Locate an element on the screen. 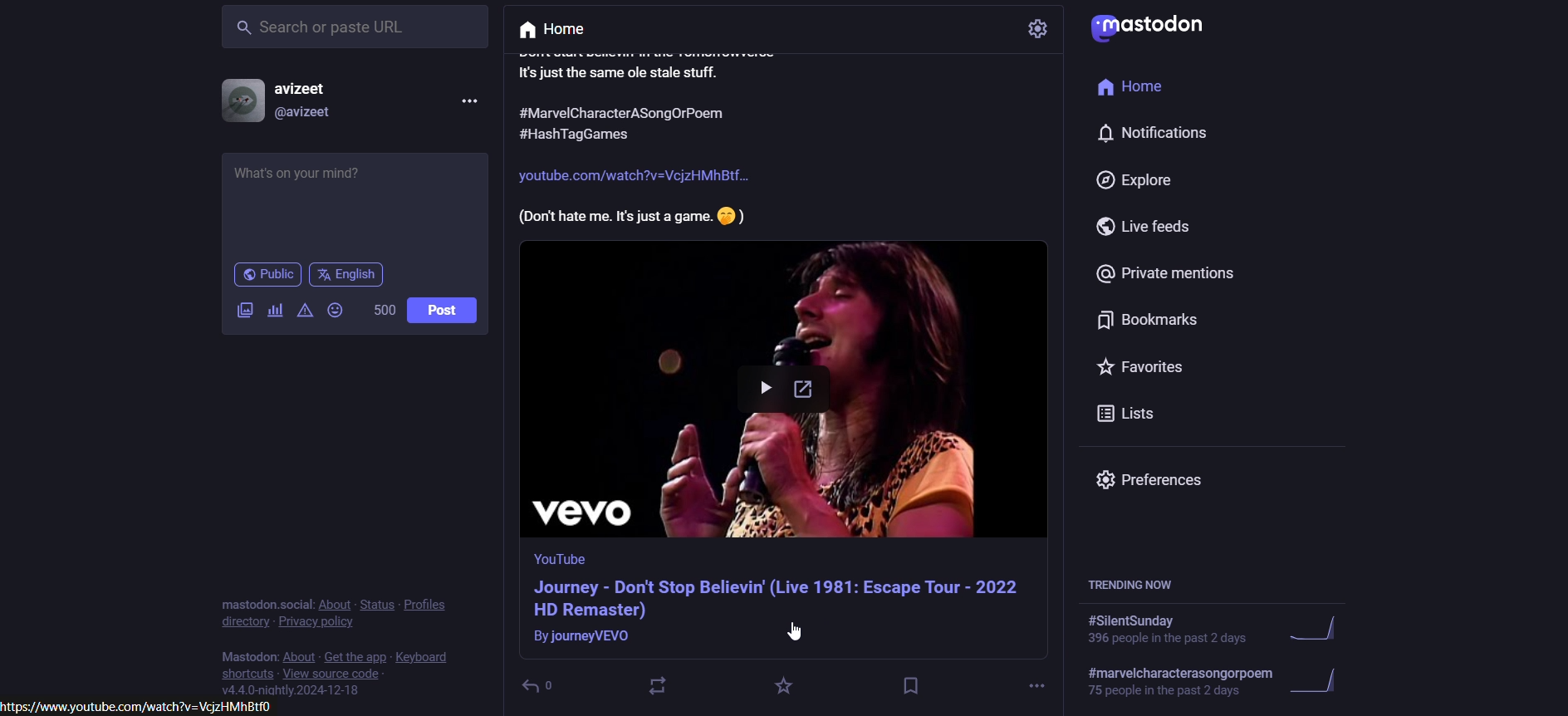 The image size is (1568, 716). display picture is located at coordinates (239, 101).